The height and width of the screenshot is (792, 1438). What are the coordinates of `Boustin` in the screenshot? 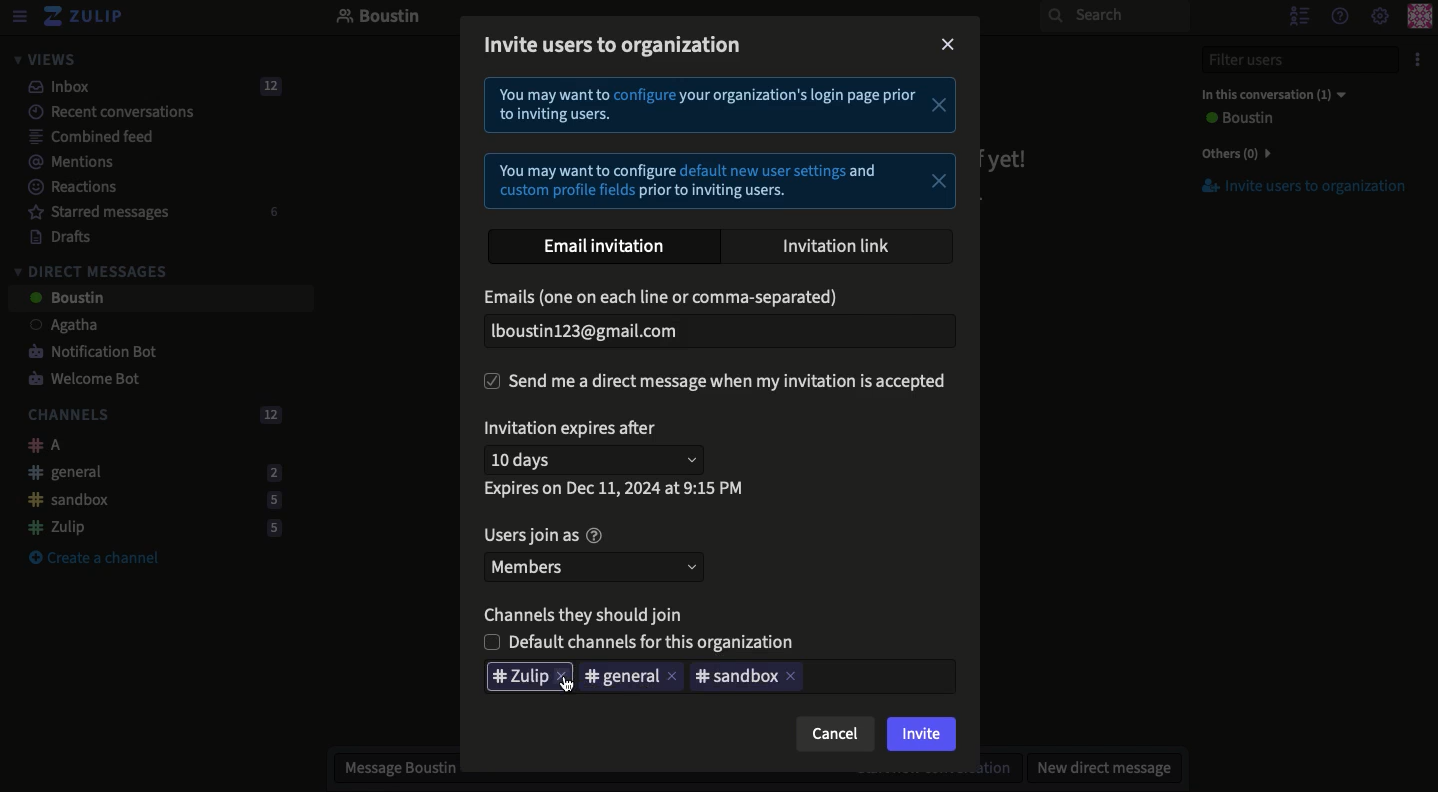 It's located at (379, 18).